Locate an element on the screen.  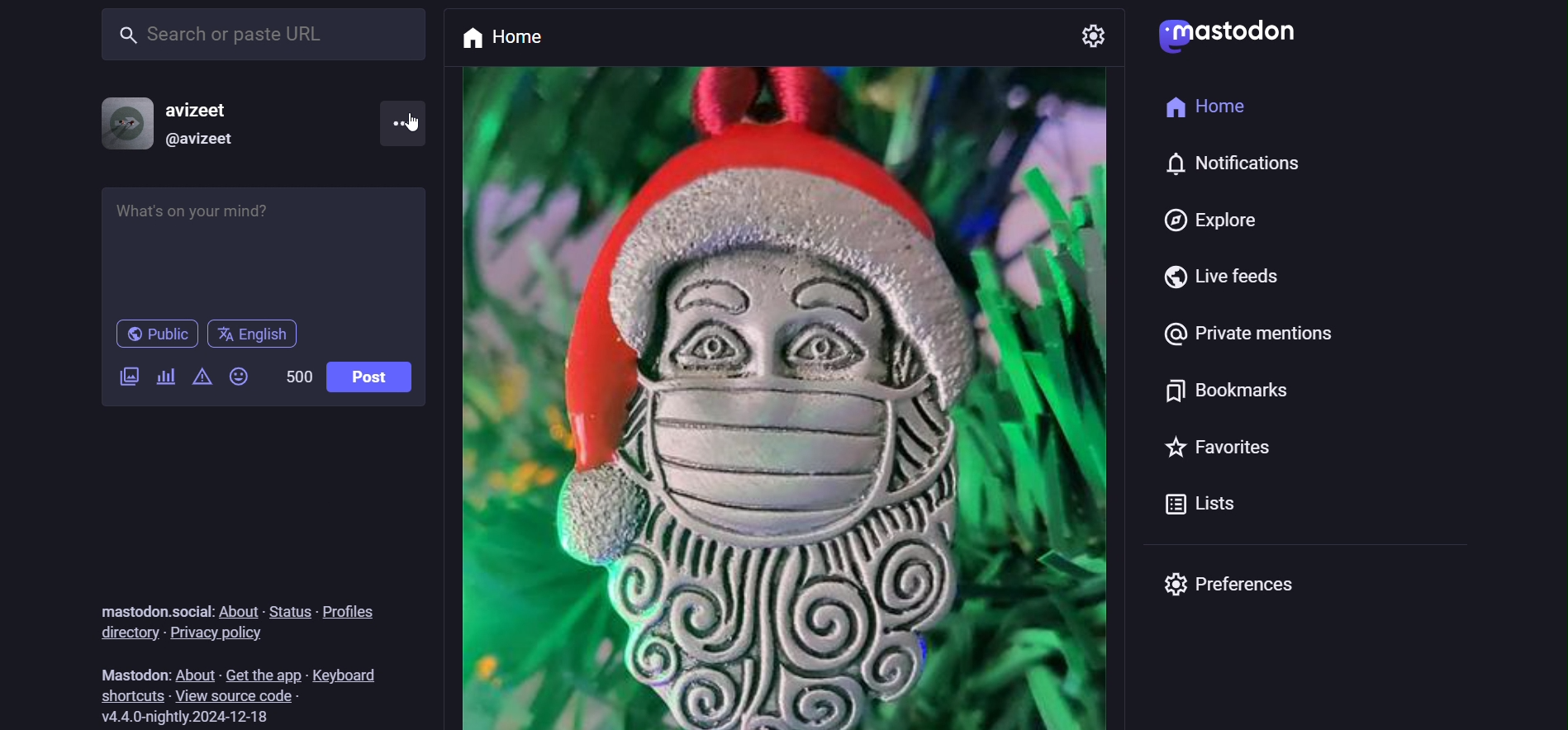
English is located at coordinates (259, 334).